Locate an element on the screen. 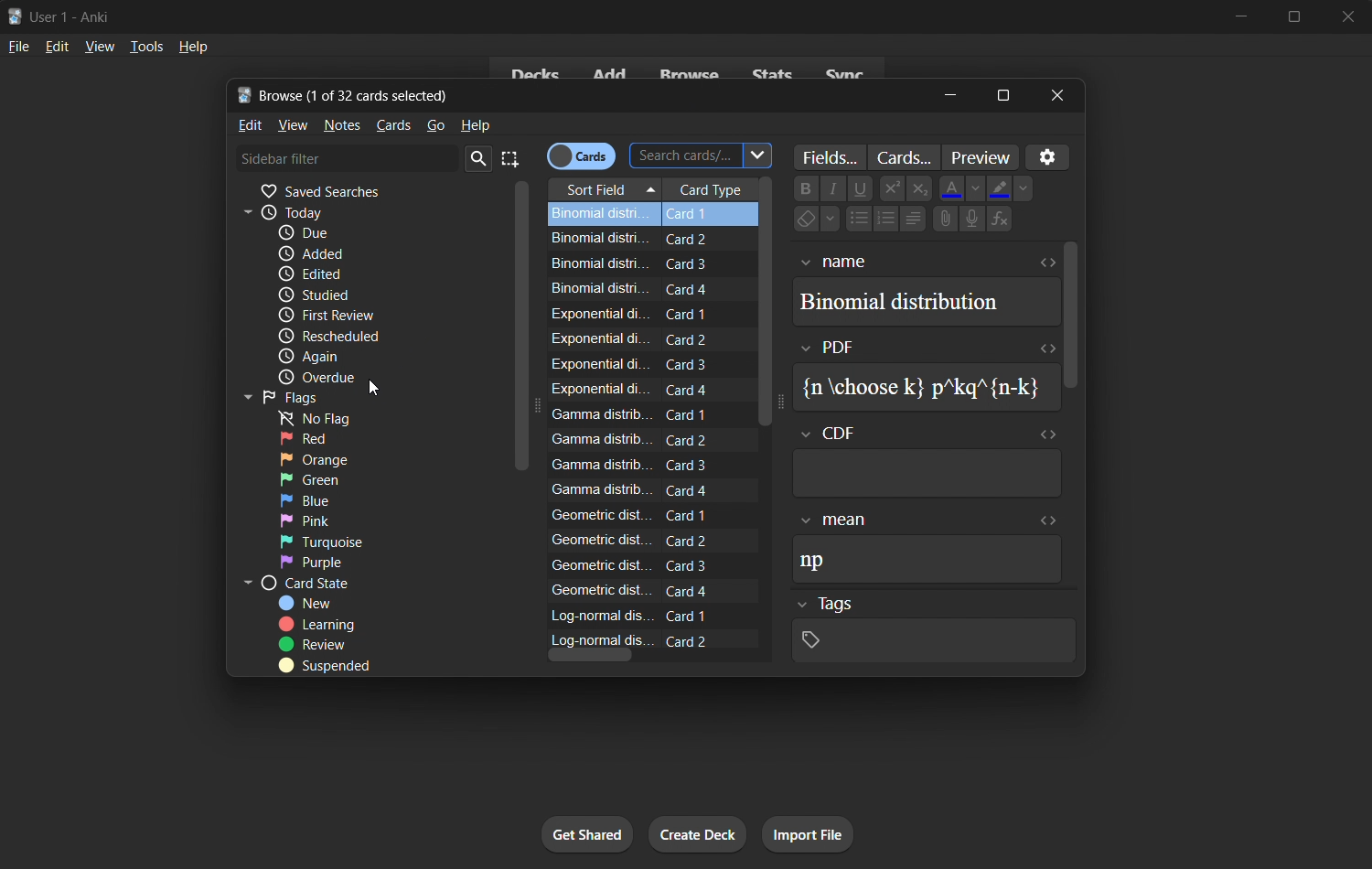 This screenshot has width=1372, height=869.  is located at coordinates (944, 219).